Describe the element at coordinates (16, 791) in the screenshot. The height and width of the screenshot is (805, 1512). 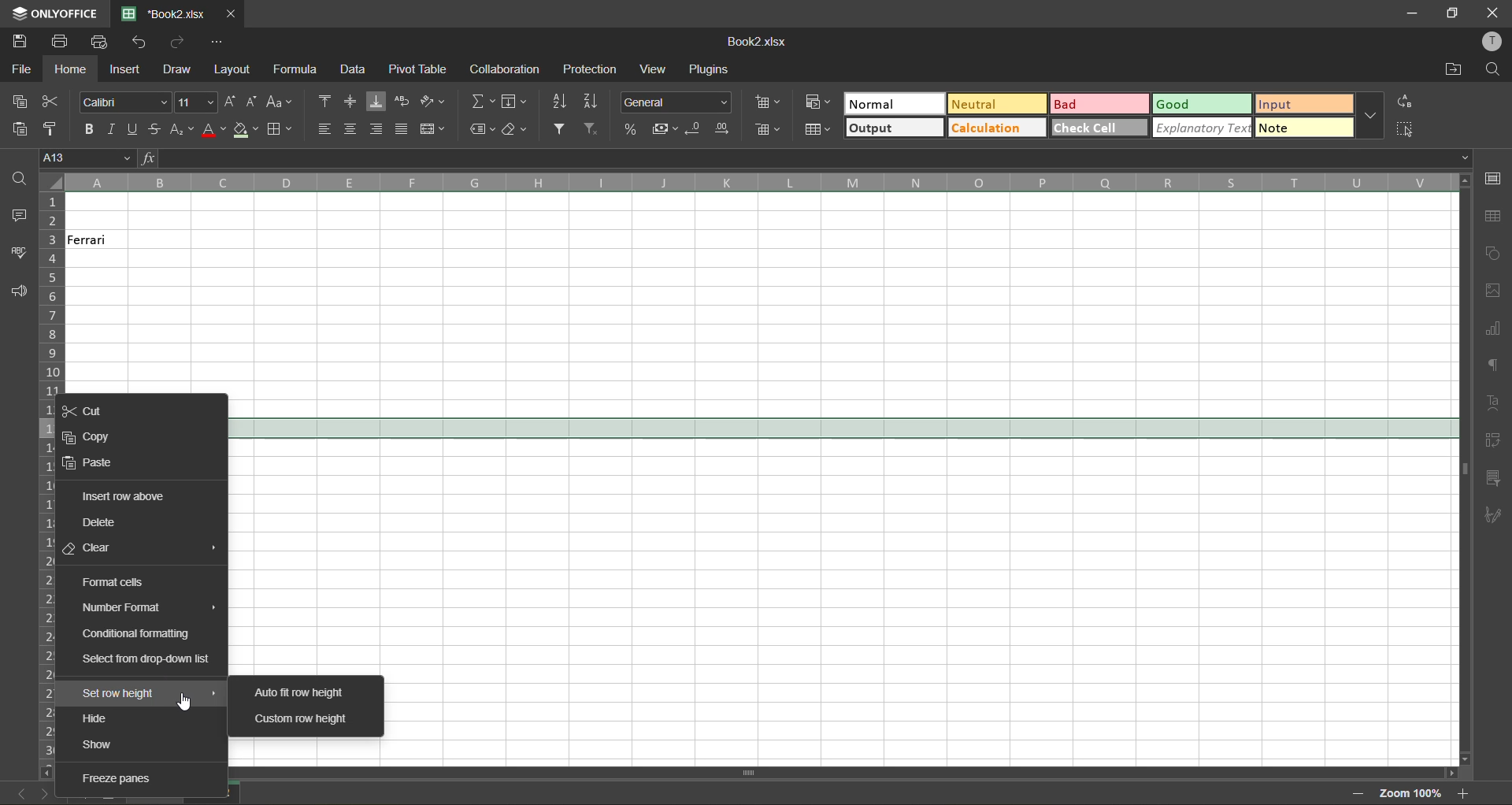
I see `previous` at that location.